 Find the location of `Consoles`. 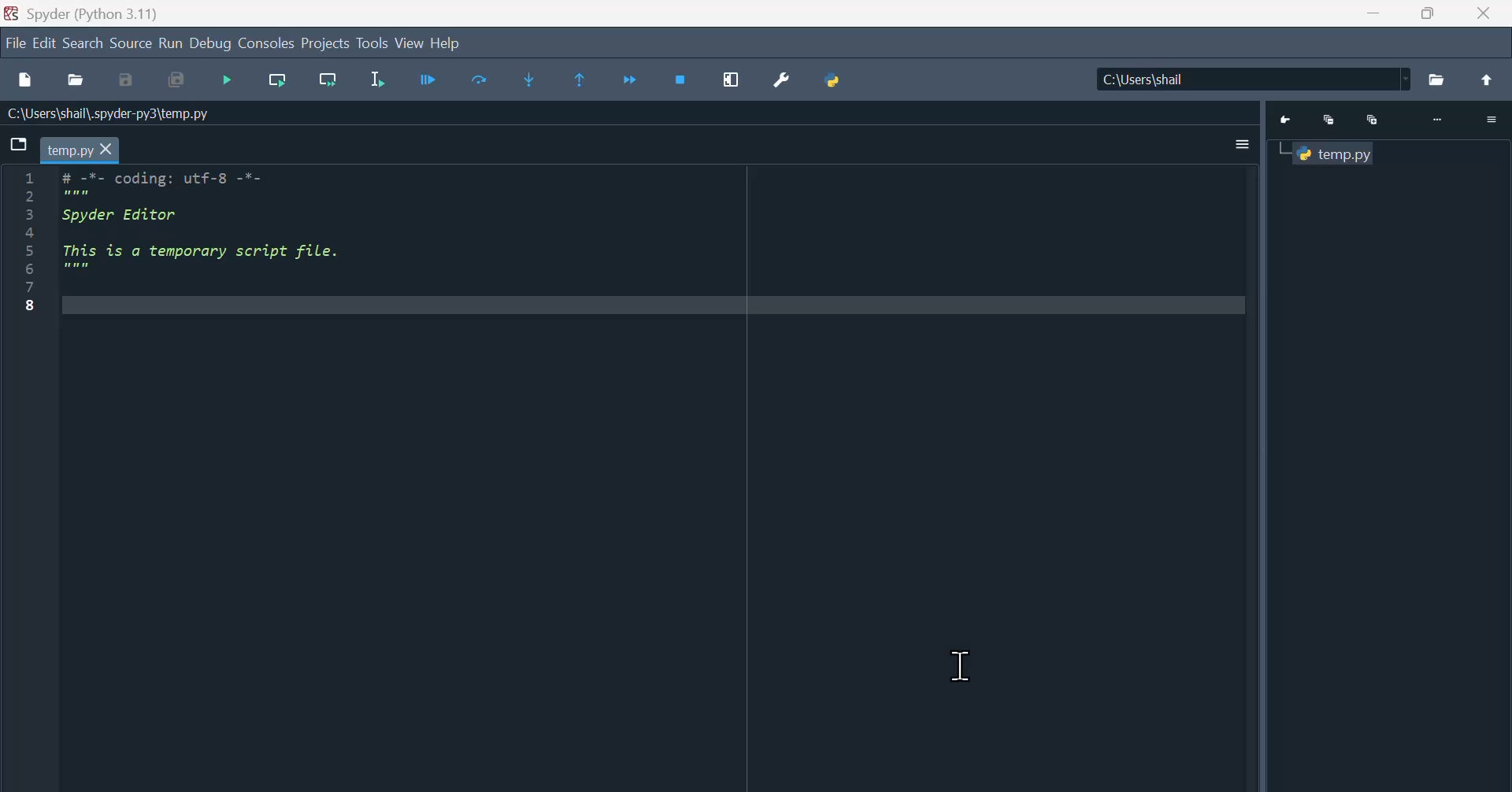

Consoles is located at coordinates (265, 42).